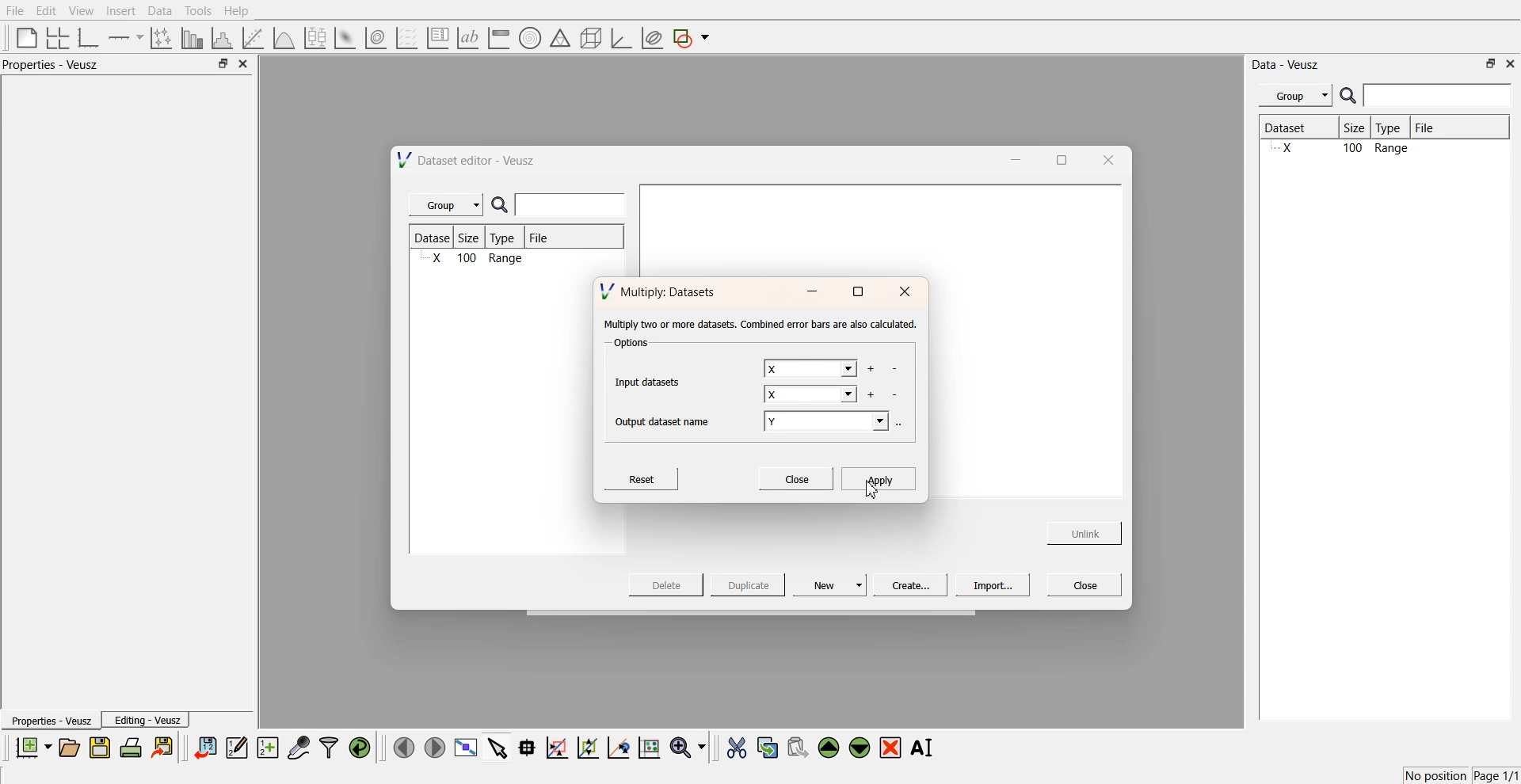  What do you see at coordinates (649, 748) in the screenshot?
I see `reset the graph axes` at bounding box center [649, 748].